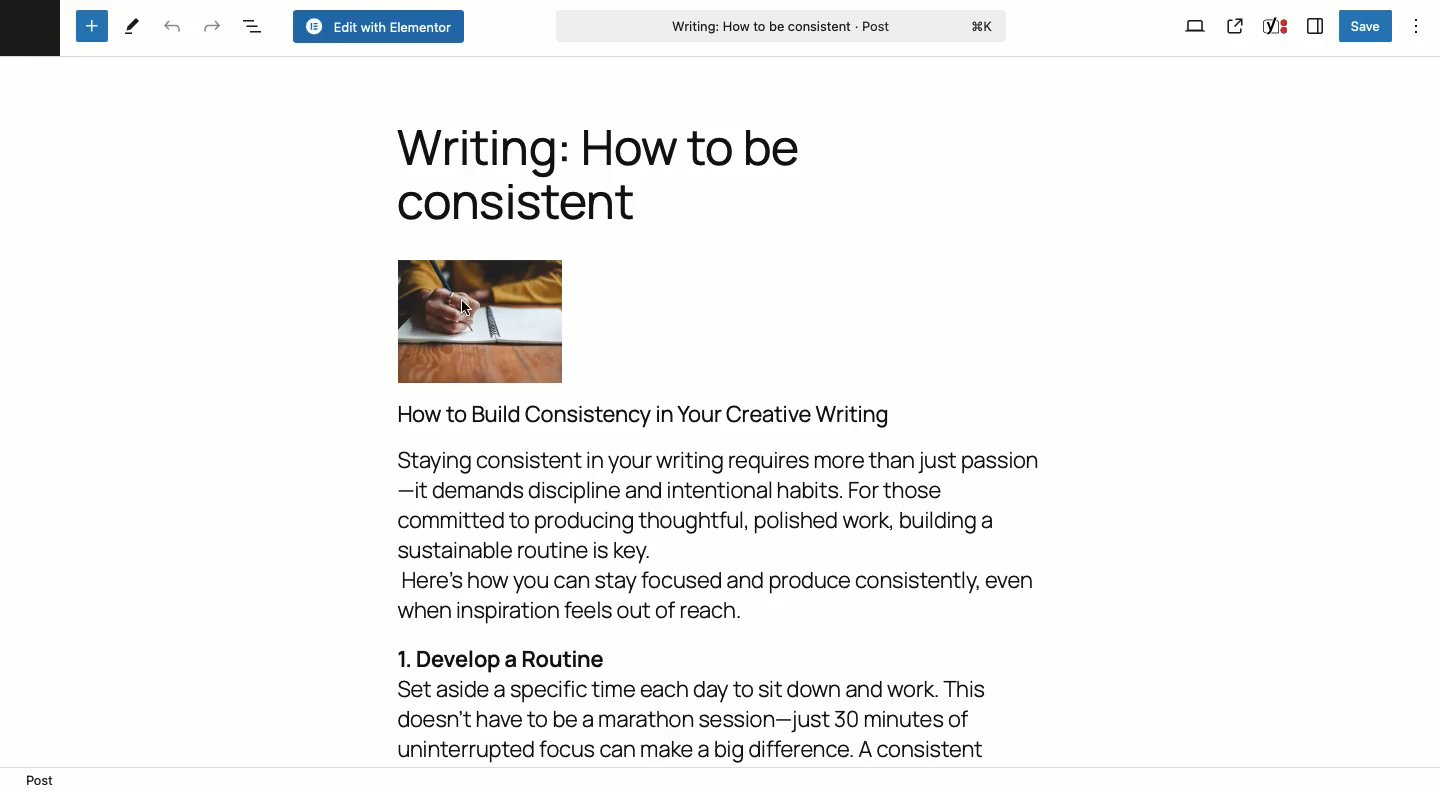 Image resolution: width=1440 pixels, height=792 pixels. Describe the element at coordinates (479, 319) in the screenshot. I see `Image` at that location.